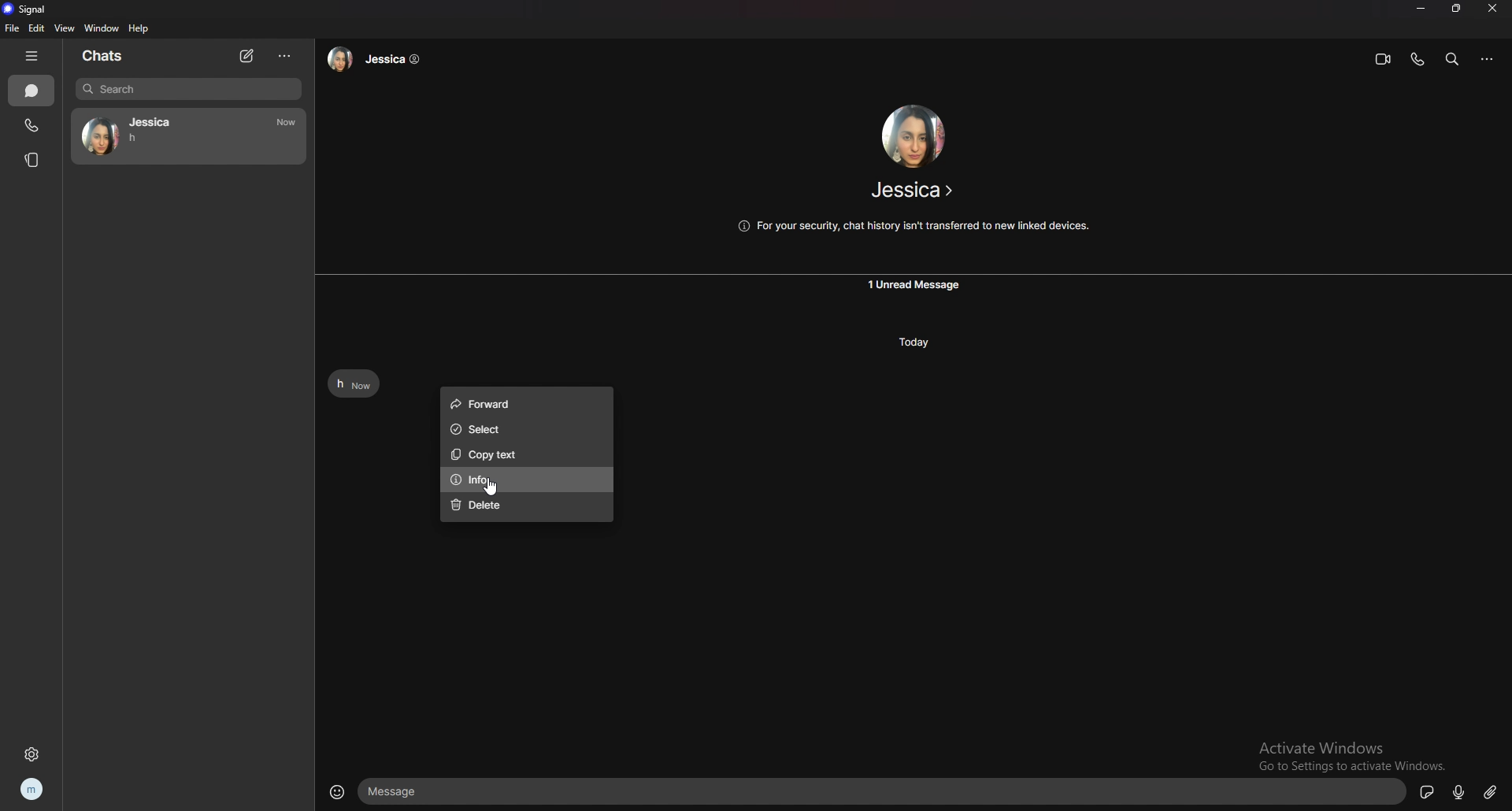 This screenshot has width=1512, height=811. Describe the element at coordinates (1322, 746) in the screenshot. I see `Activate Windows` at that location.